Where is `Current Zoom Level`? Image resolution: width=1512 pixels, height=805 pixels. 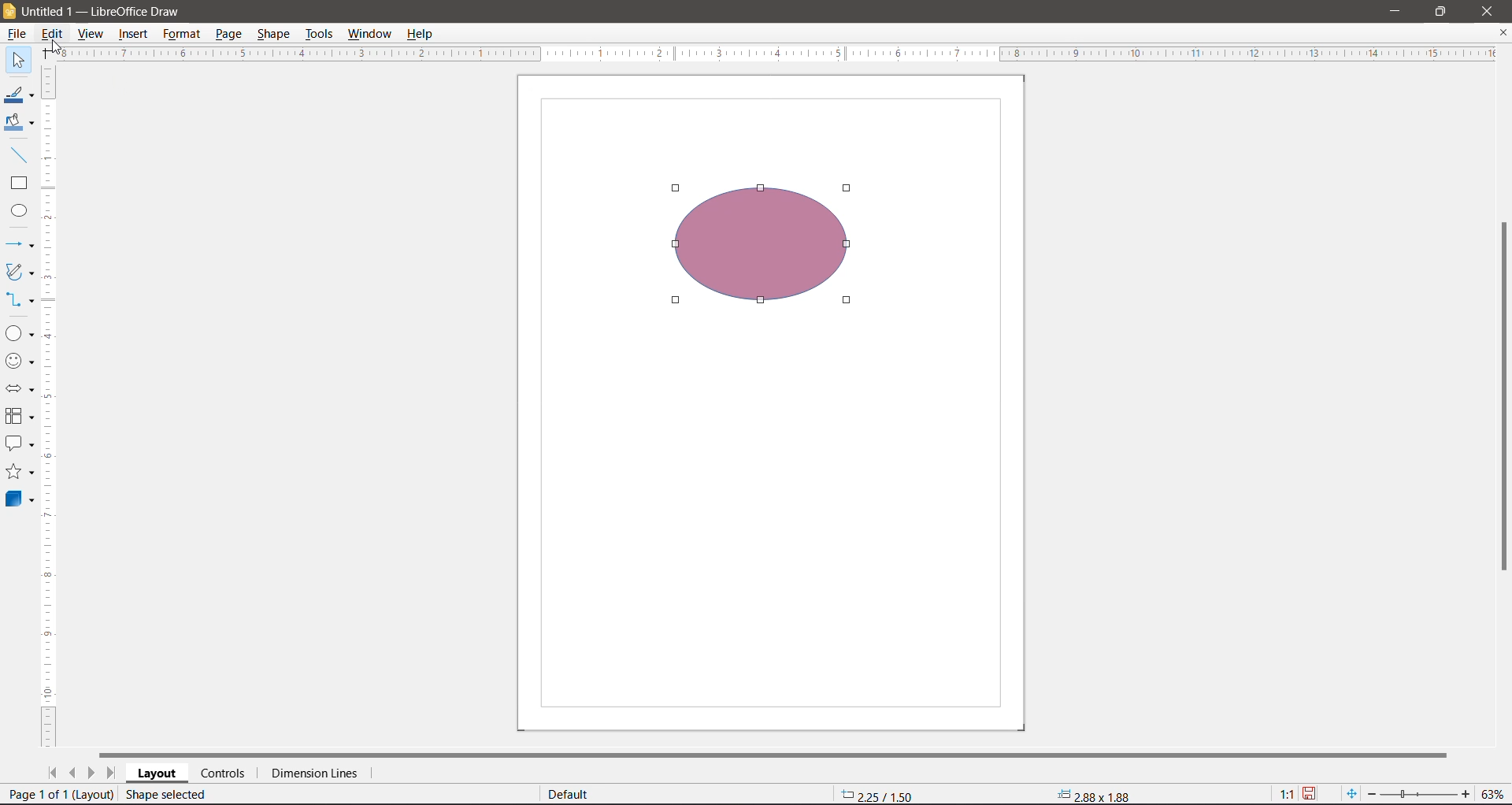
Current Zoom Level is located at coordinates (1492, 795).